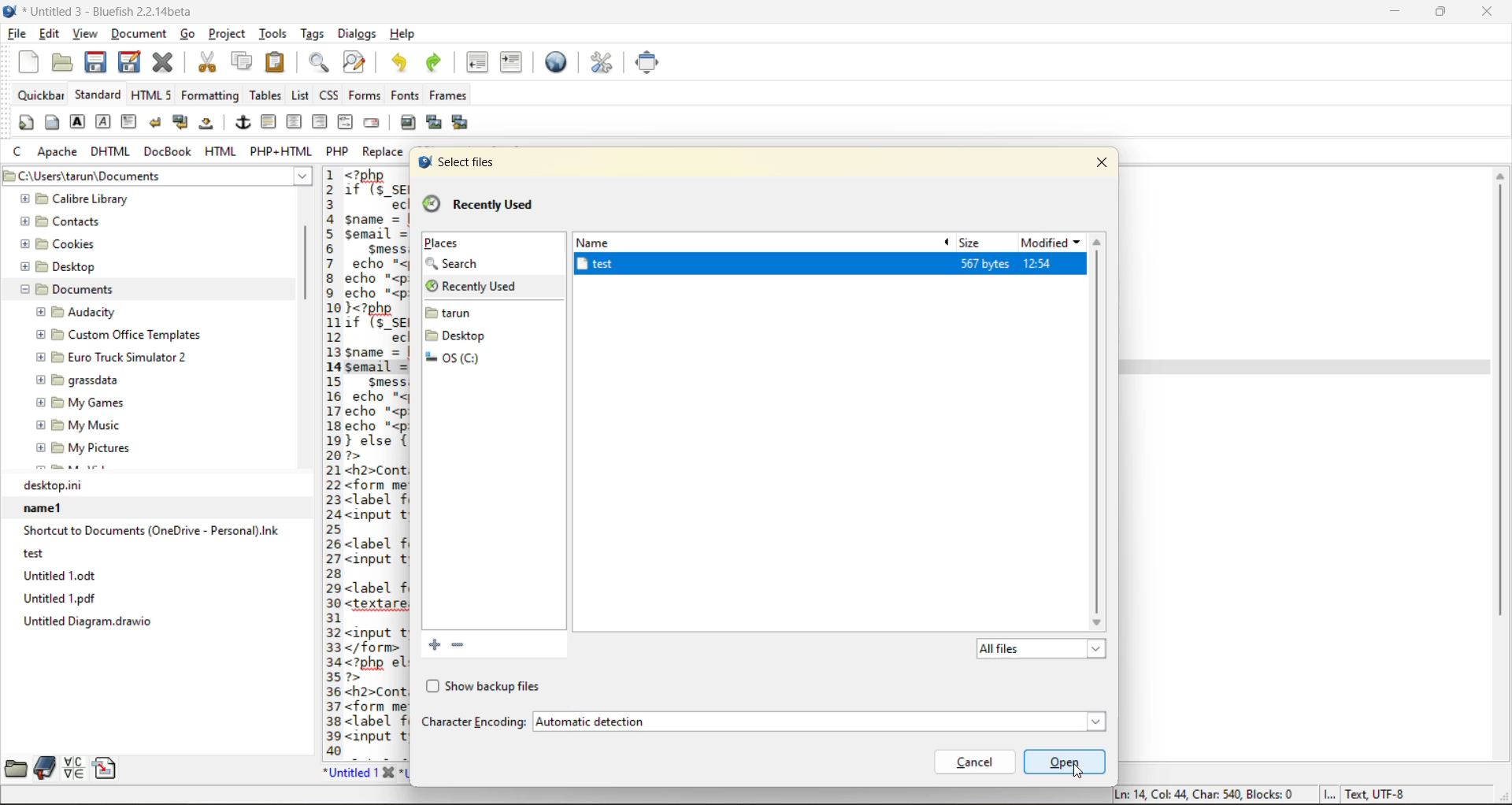 Image resolution: width=1512 pixels, height=805 pixels. I want to click on save, so click(96, 62).